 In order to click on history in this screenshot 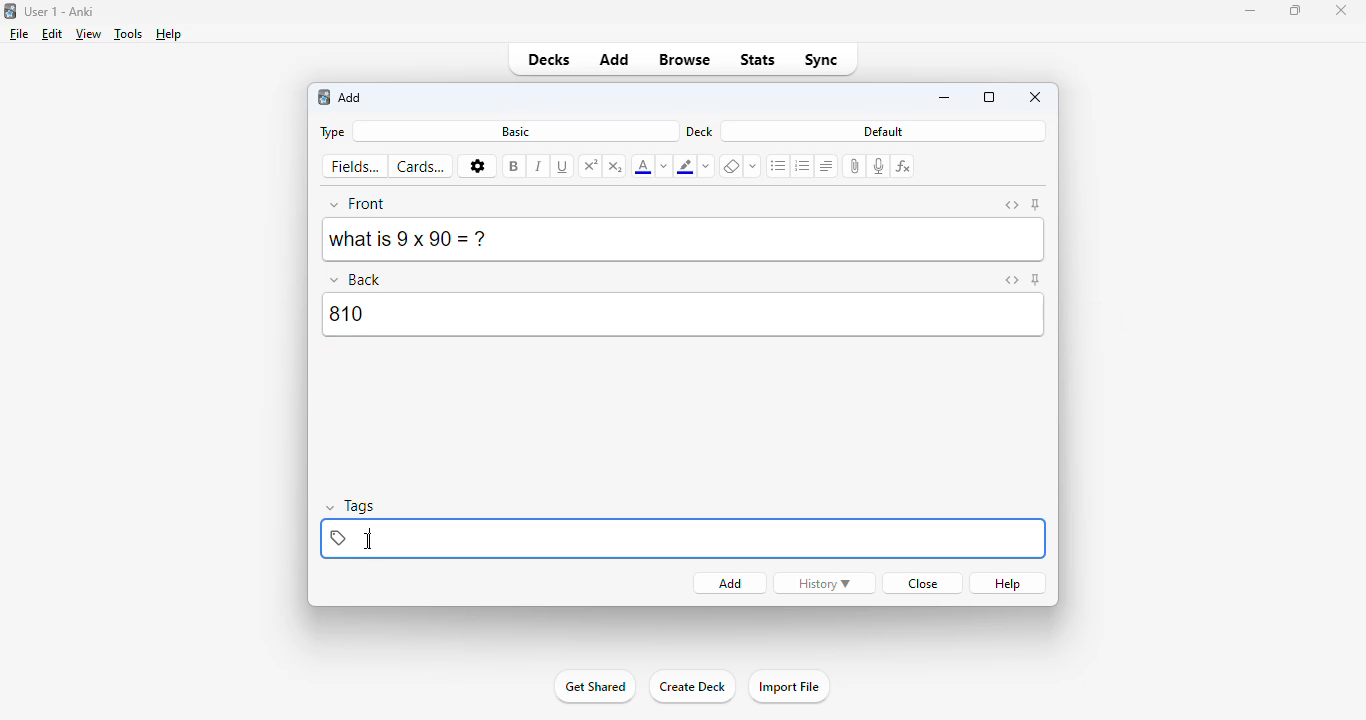, I will do `click(824, 583)`.